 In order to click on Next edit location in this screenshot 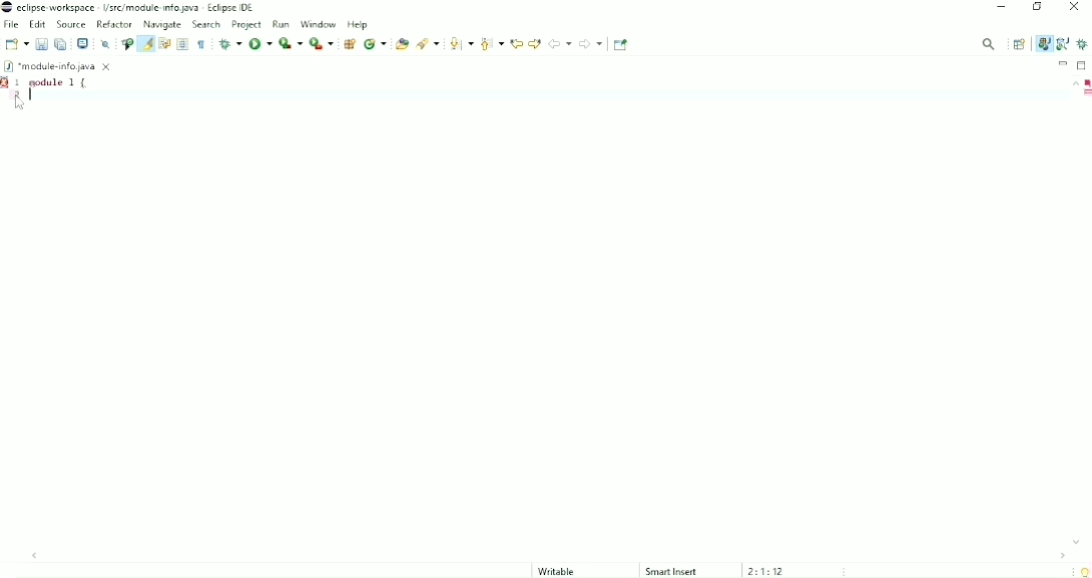, I will do `click(535, 42)`.